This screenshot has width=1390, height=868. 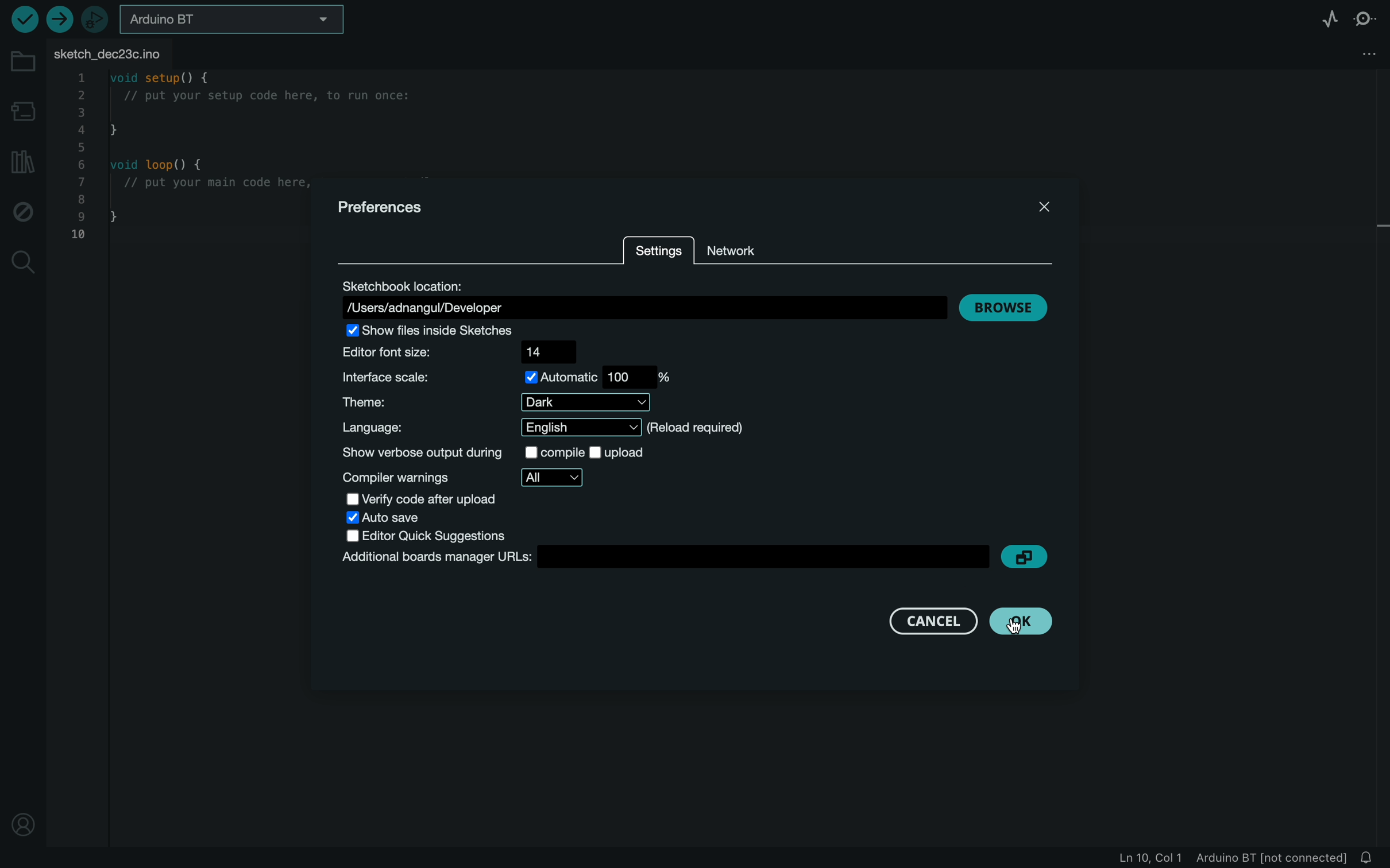 What do you see at coordinates (60, 20) in the screenshot?
I see `upload` at bounding box center [60, 20].